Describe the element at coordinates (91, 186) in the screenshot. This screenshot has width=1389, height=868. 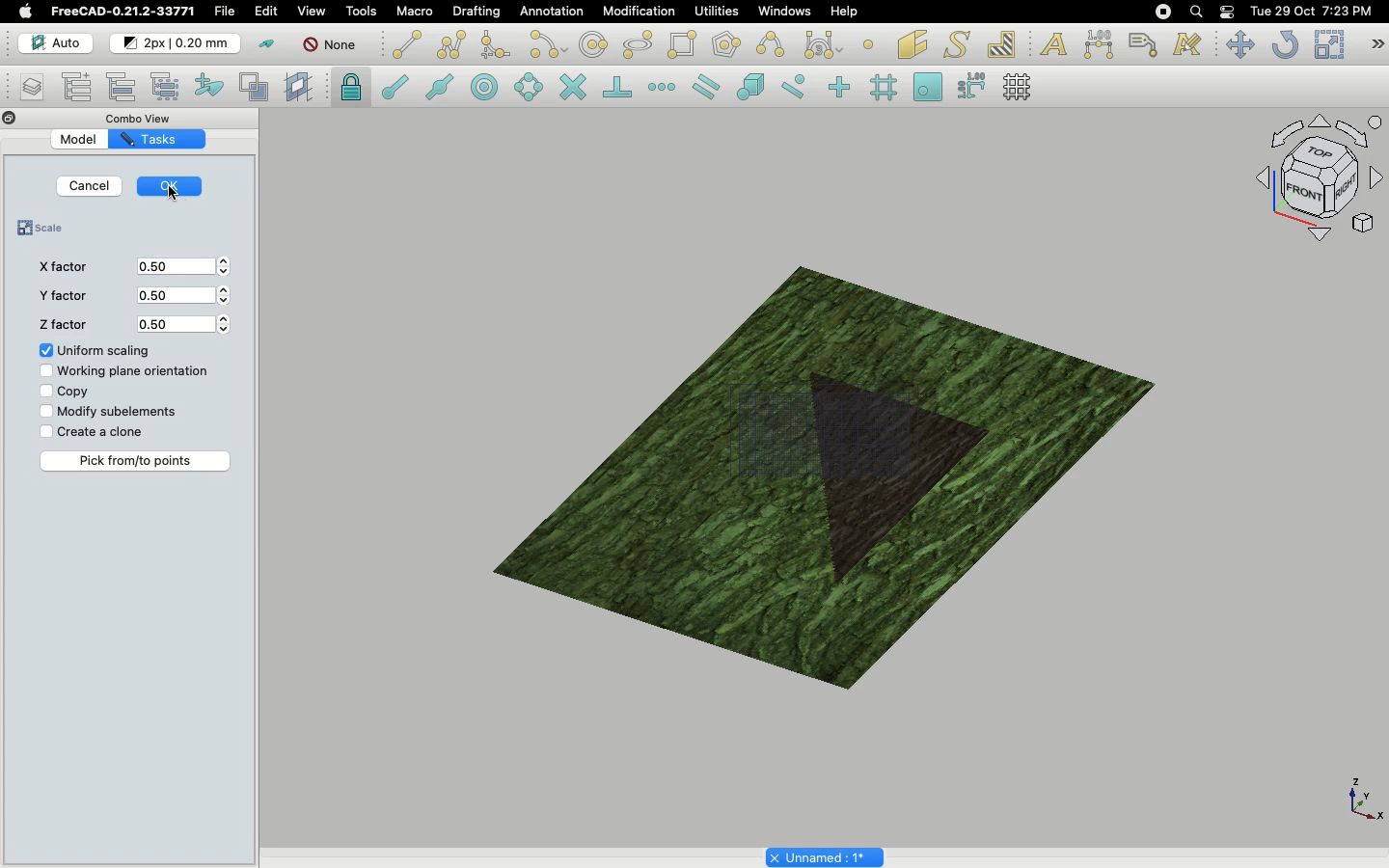
I see `Cancel` at that location.